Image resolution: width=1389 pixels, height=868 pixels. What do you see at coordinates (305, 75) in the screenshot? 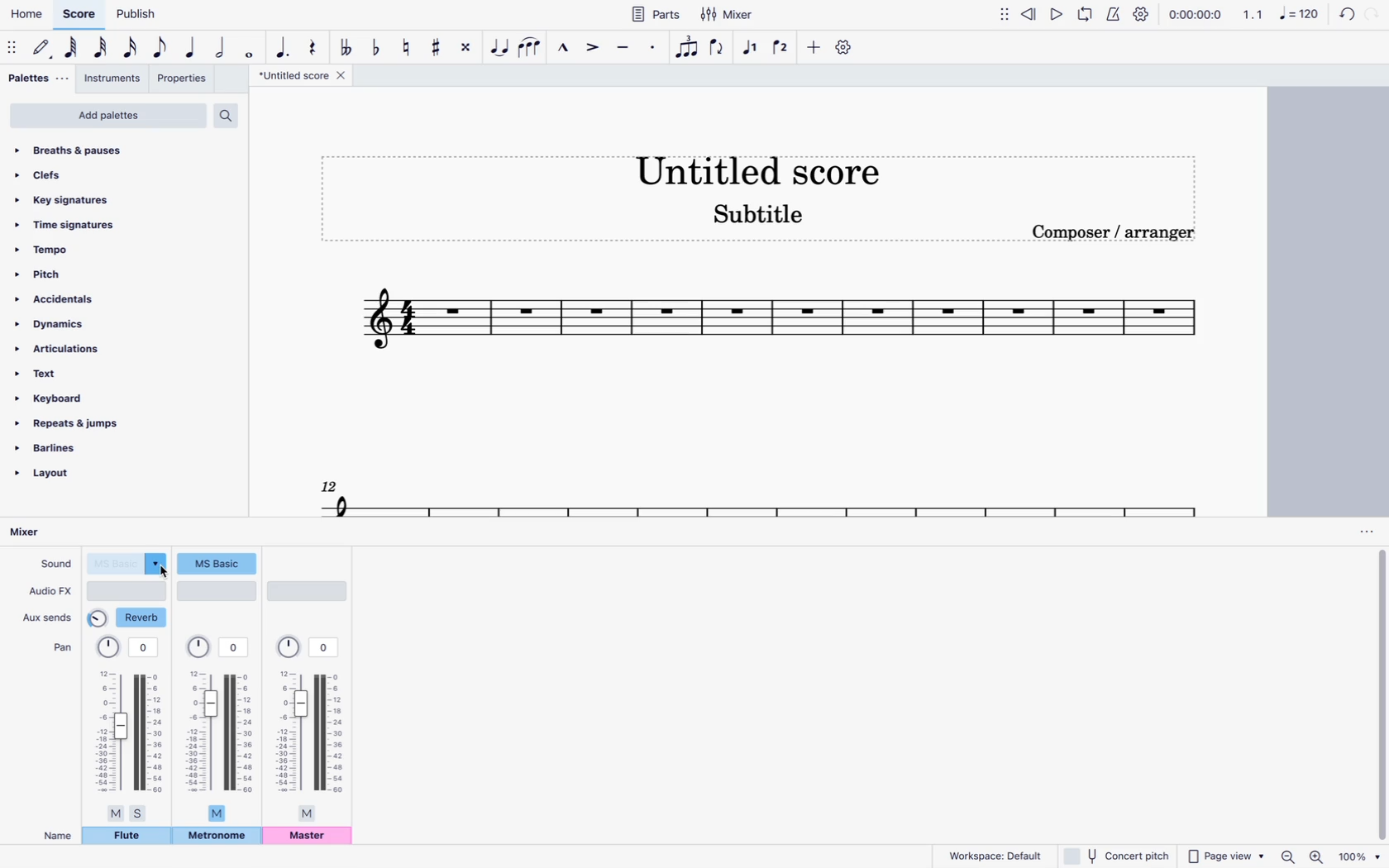
I see `score title` at bounding box center [305, 75].